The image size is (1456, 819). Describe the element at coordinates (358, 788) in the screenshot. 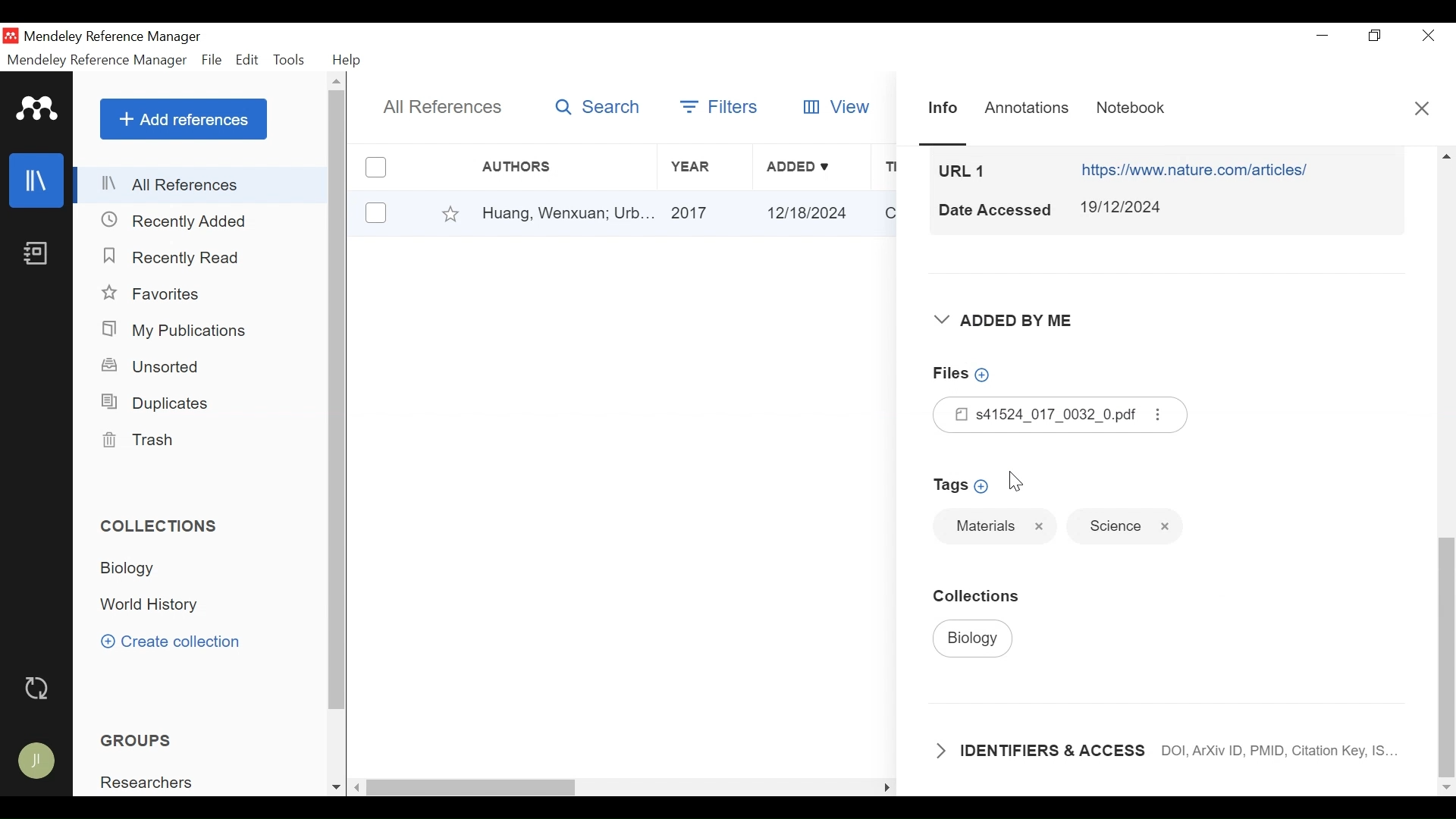

I see `Scroll Left` at that location.